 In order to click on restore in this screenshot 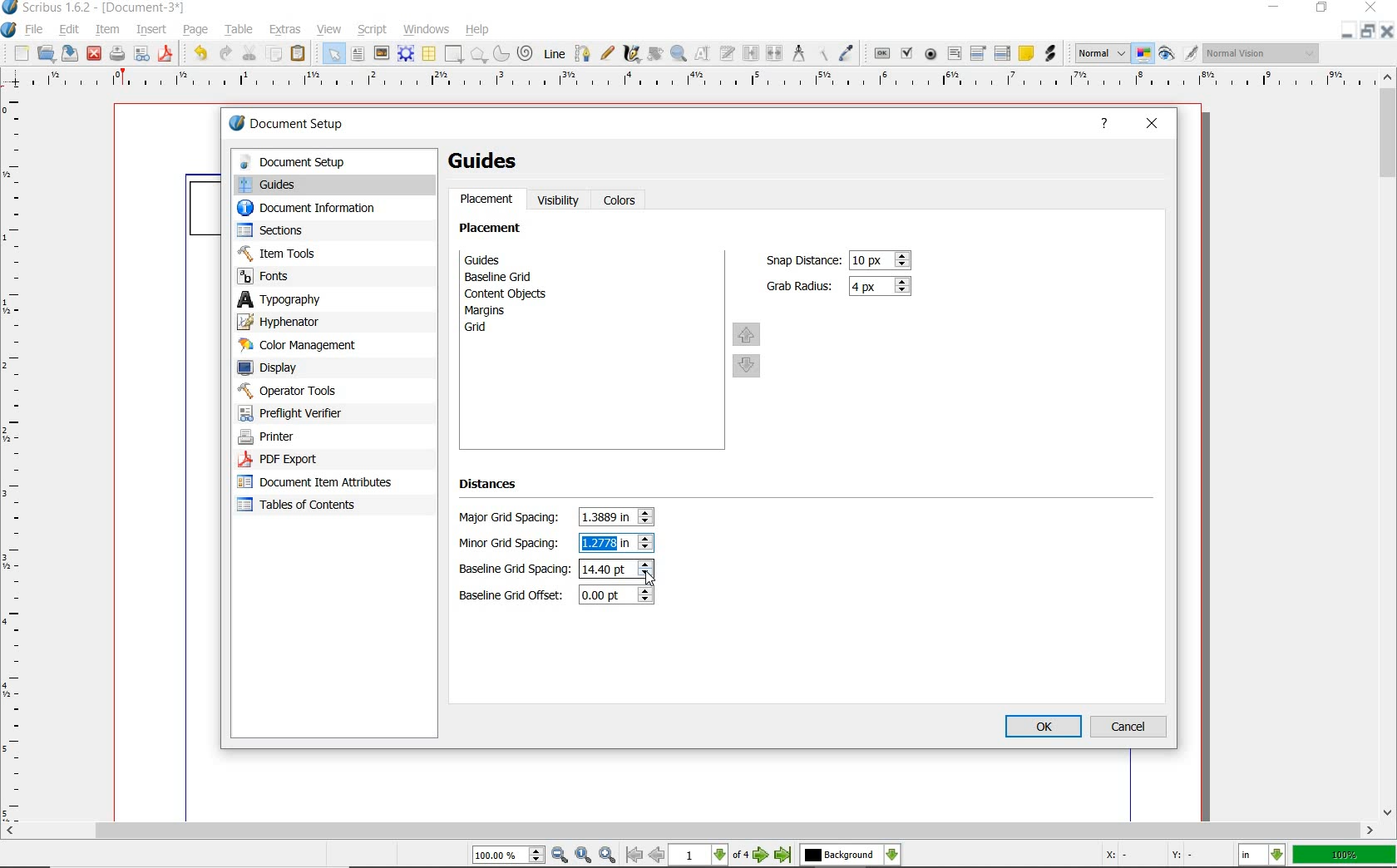, I will do `click(1370, 32)`.